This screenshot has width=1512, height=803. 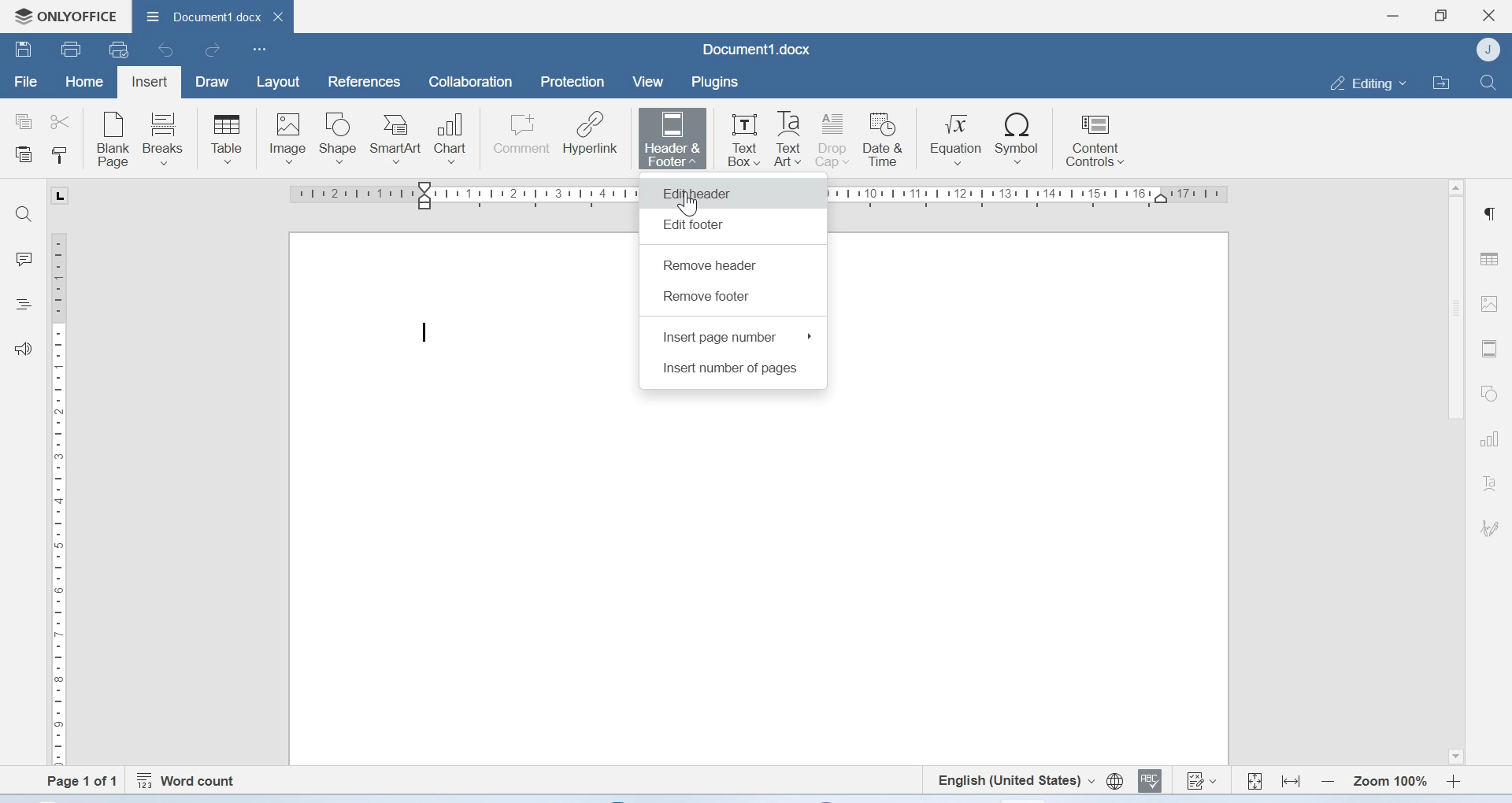 I want to click on Fit to width, so click(x=1290, y=779).